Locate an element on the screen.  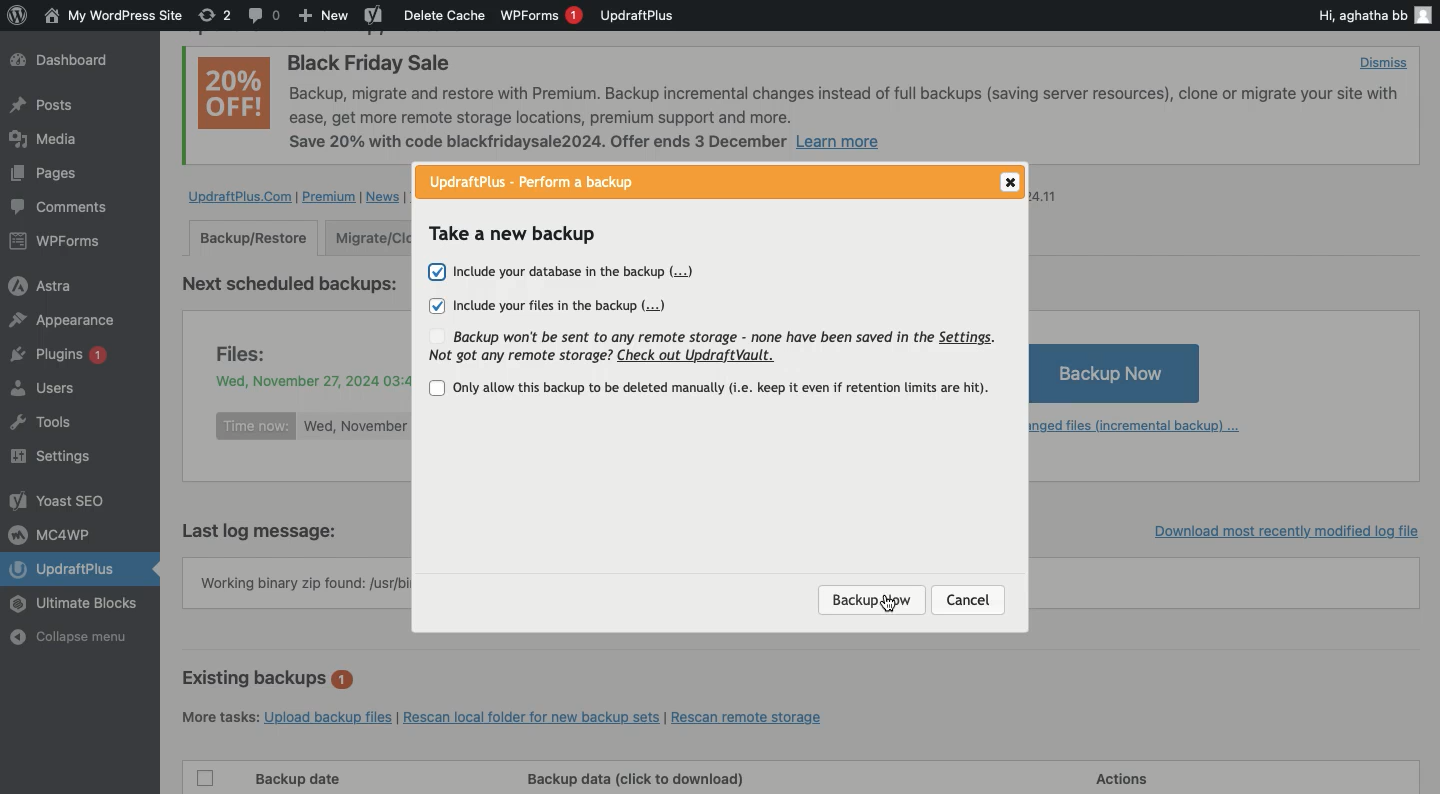
UpdraftPlus is located at coordinates (83, 569).